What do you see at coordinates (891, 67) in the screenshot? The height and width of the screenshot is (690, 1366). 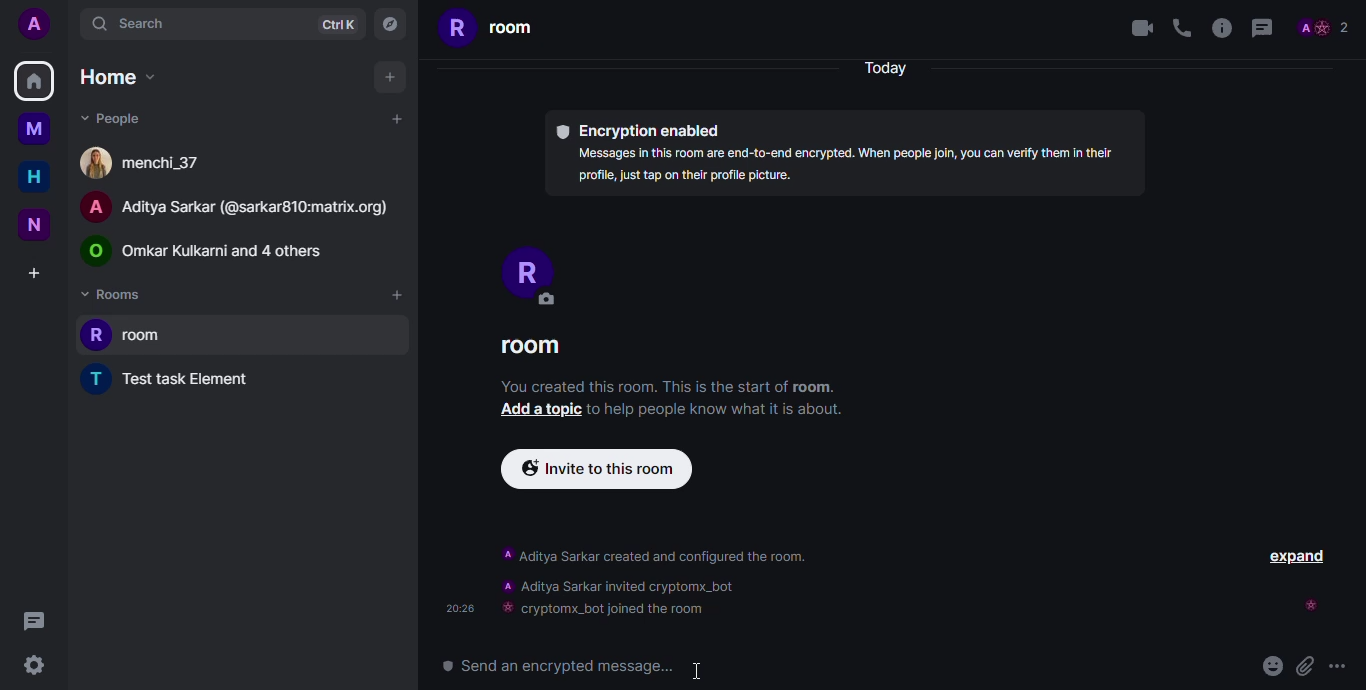 I see `Today` at bounding box center [891, 67].